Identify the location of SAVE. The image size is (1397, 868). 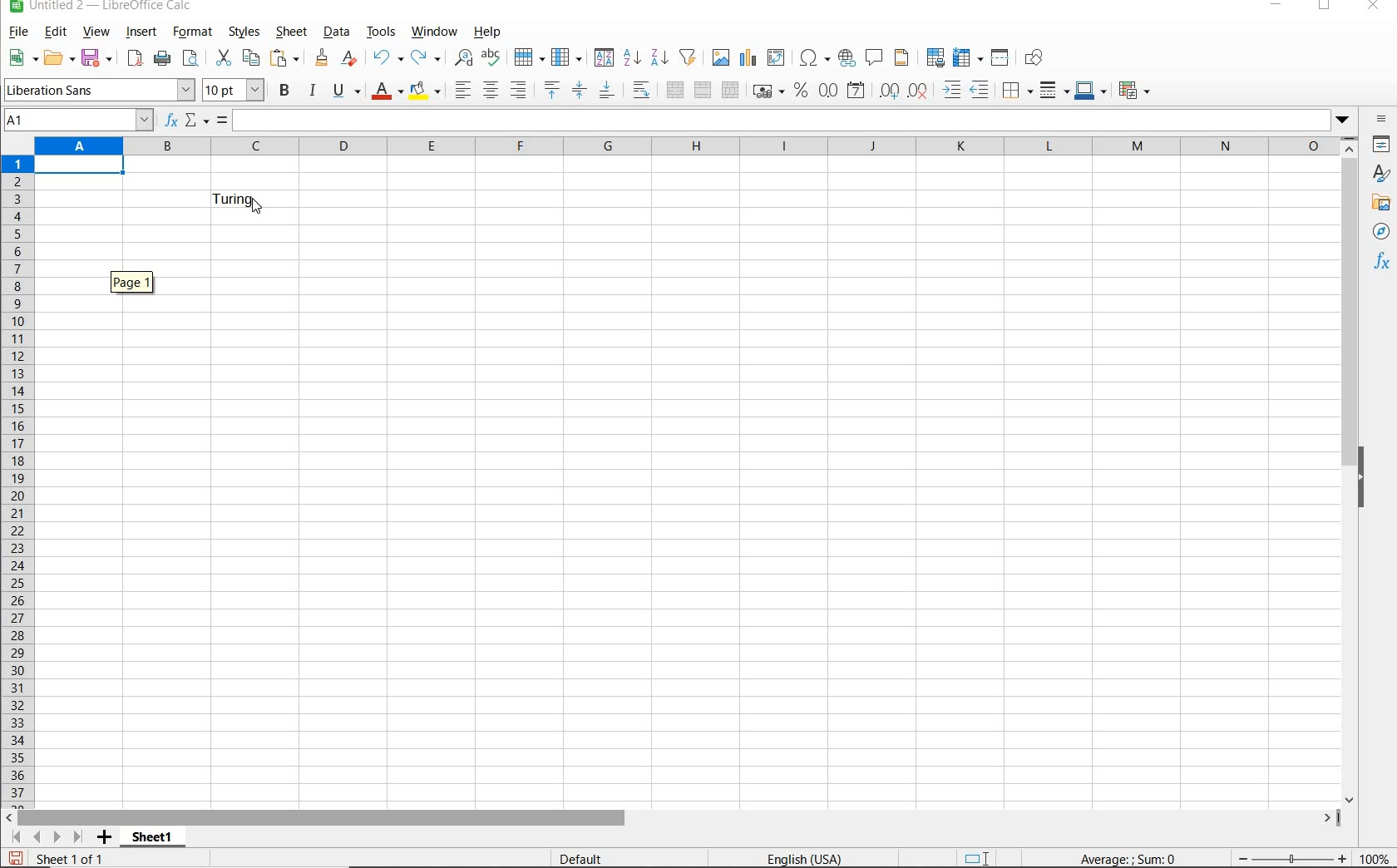
(14, 859).